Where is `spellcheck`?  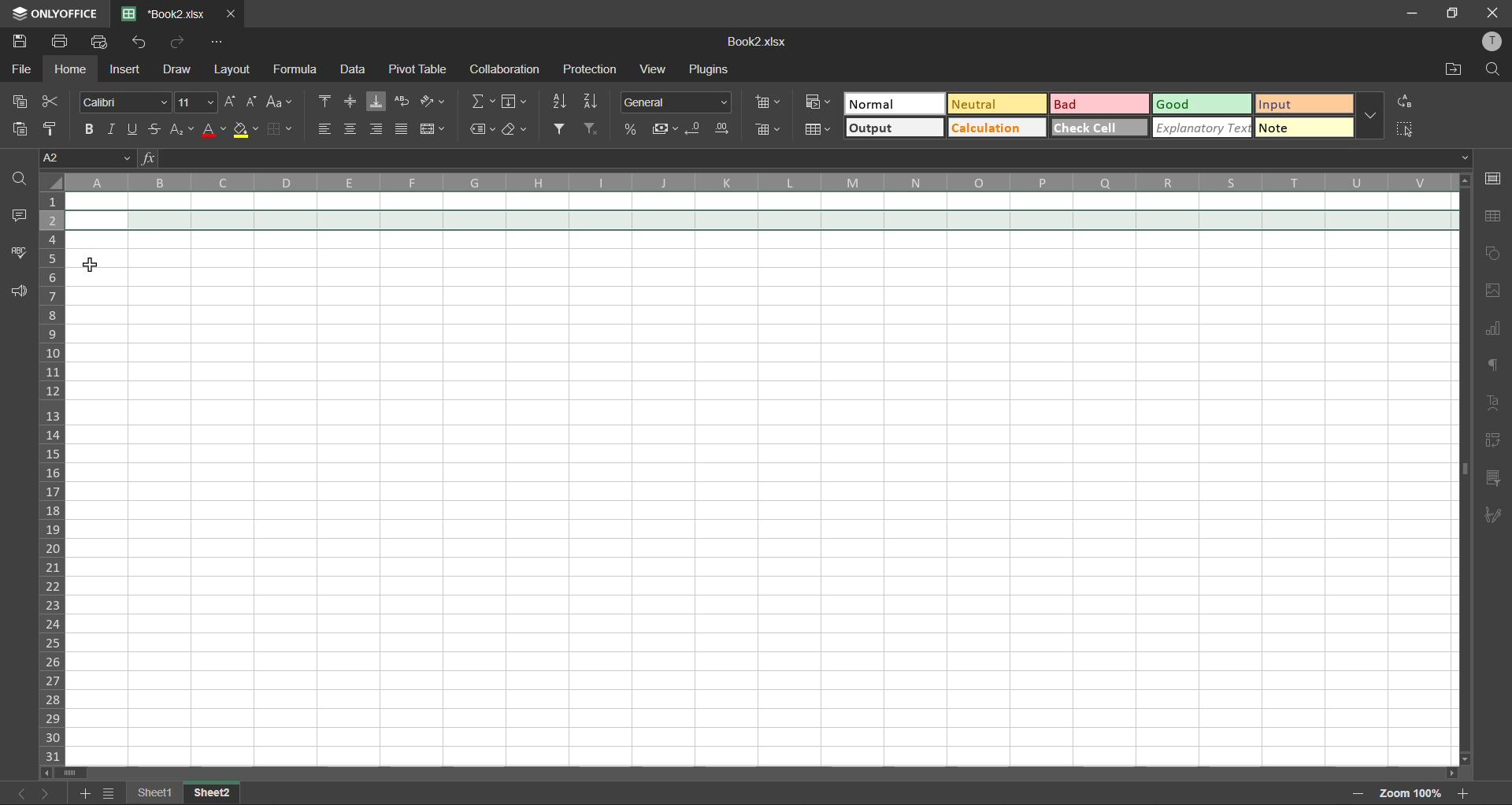 spellcheck is located at coordinates (19, 254).